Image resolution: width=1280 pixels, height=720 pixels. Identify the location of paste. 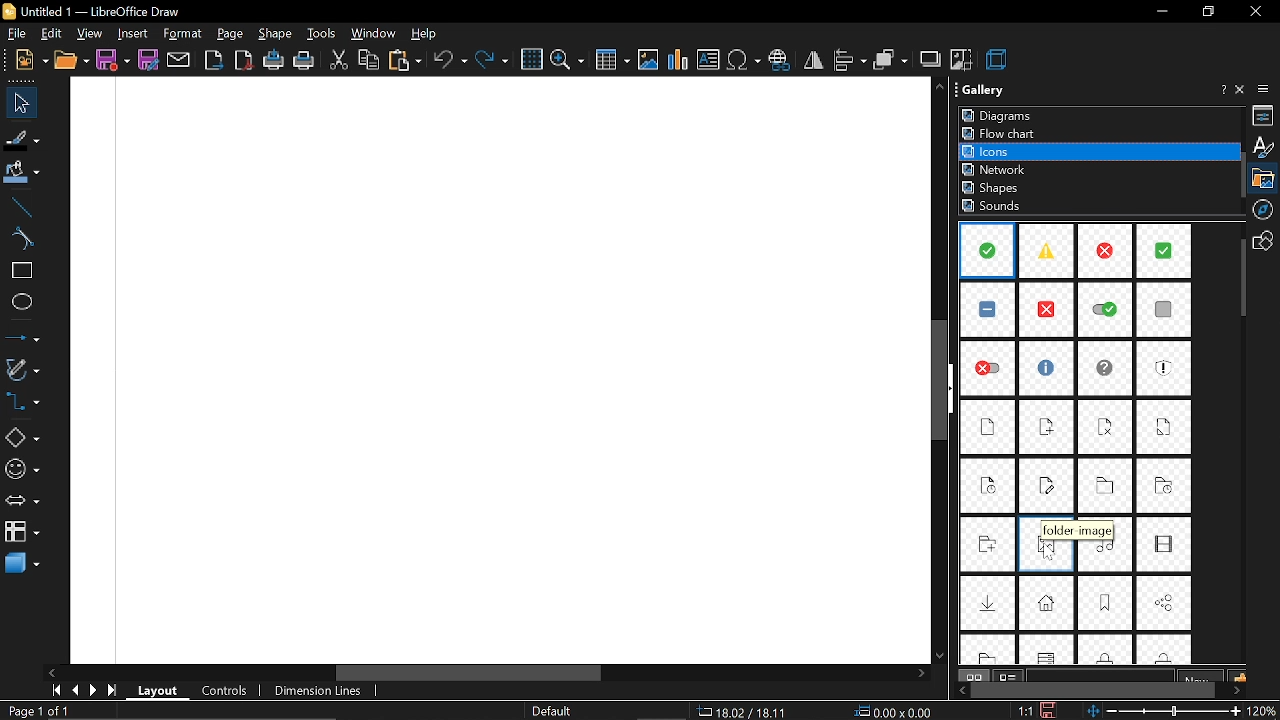
(404, 60).